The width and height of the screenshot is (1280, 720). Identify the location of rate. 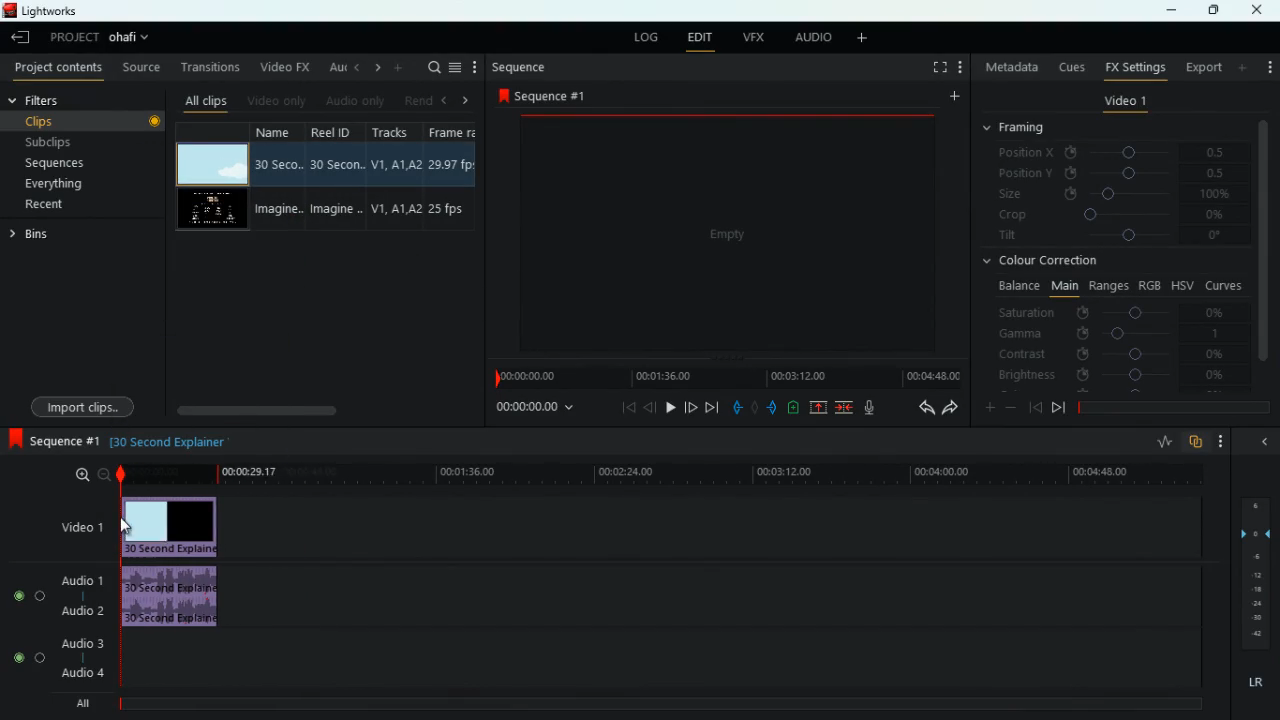
(1161, 444).